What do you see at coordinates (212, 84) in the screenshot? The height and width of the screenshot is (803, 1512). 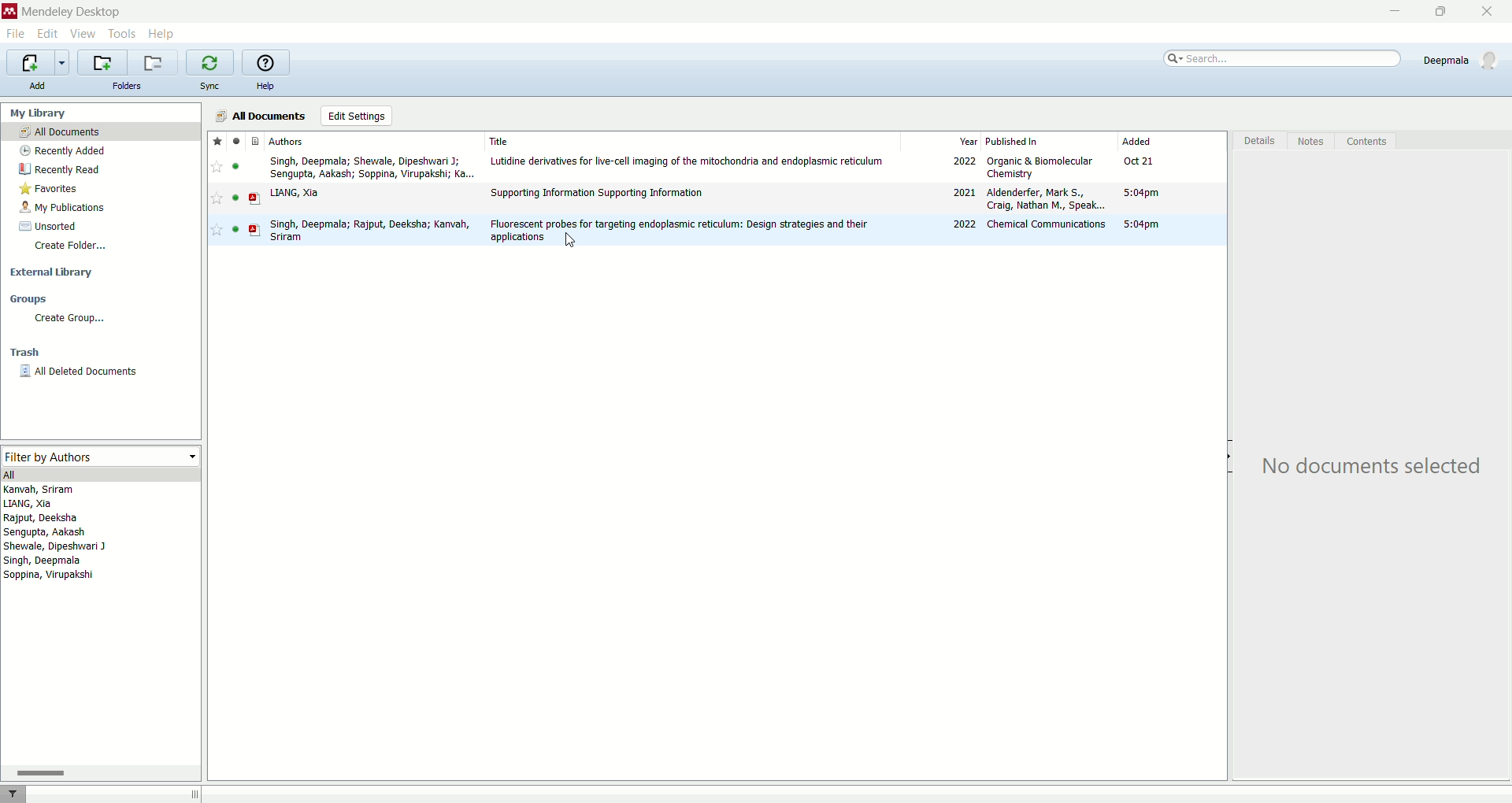 I see `sync` at bounding box center [212, 84].